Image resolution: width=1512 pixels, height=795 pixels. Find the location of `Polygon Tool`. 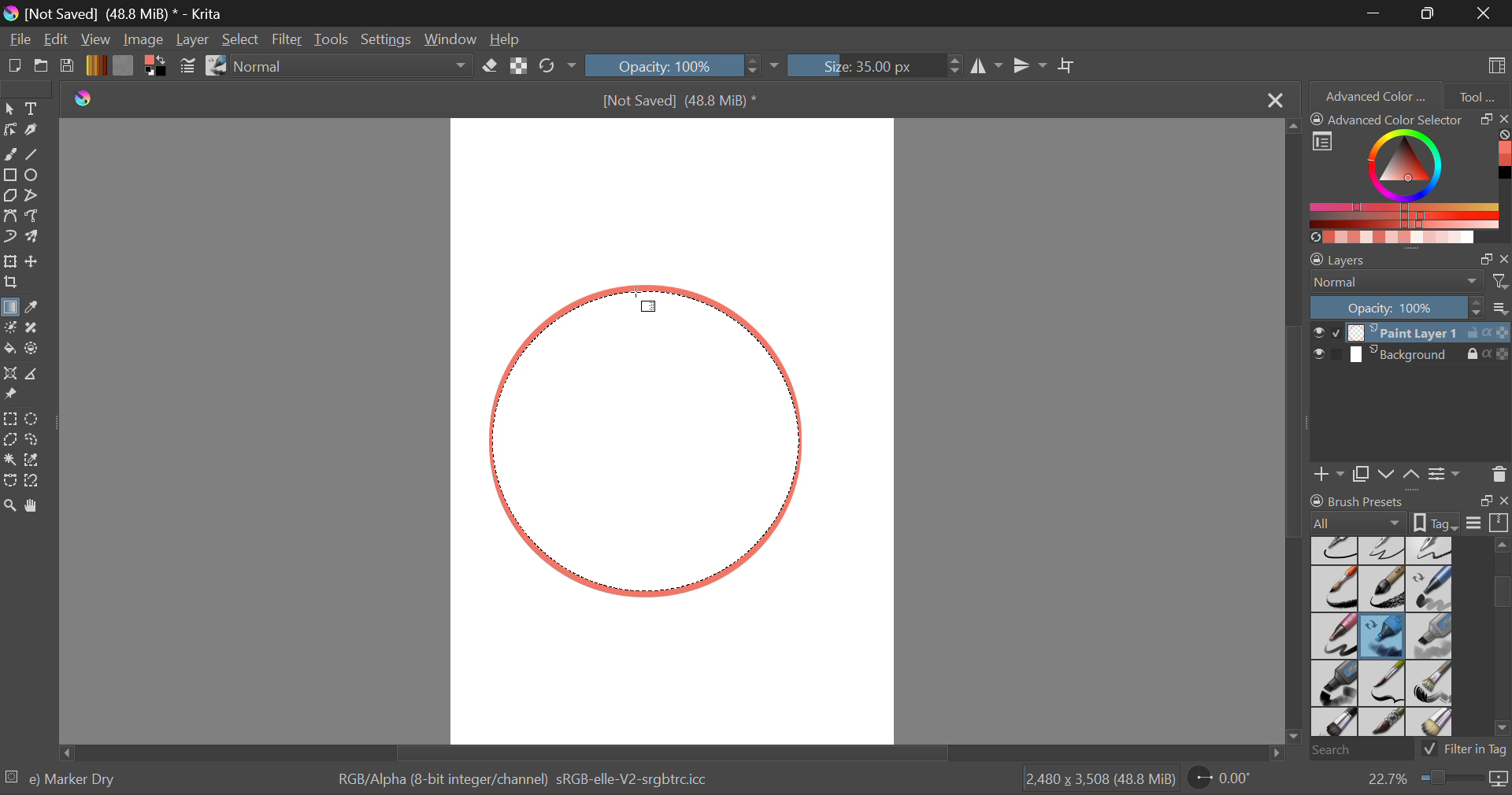

Polygon Tool is located at coordinates (9, 196).